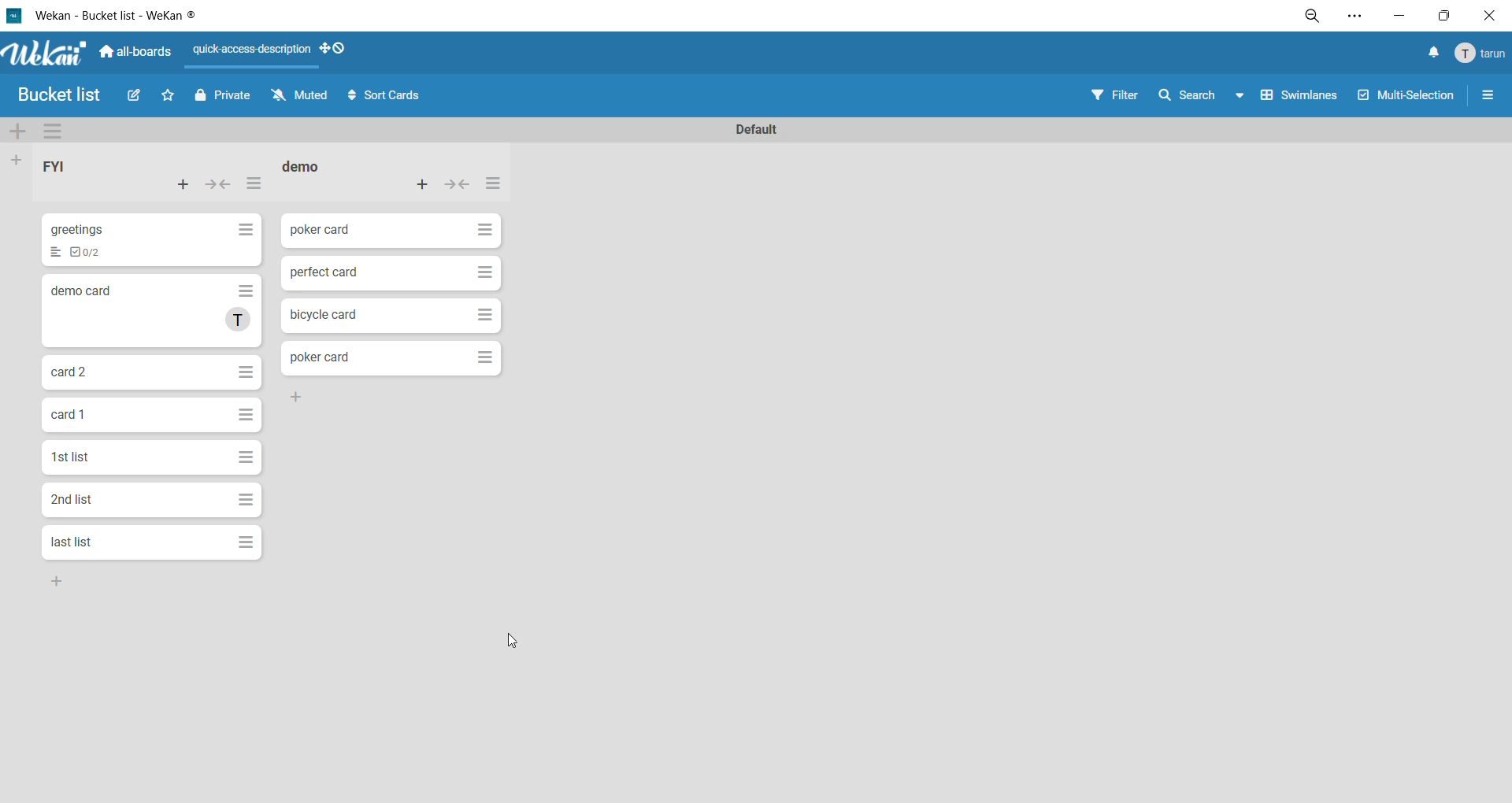  I want to click on star, so click(172, 98).